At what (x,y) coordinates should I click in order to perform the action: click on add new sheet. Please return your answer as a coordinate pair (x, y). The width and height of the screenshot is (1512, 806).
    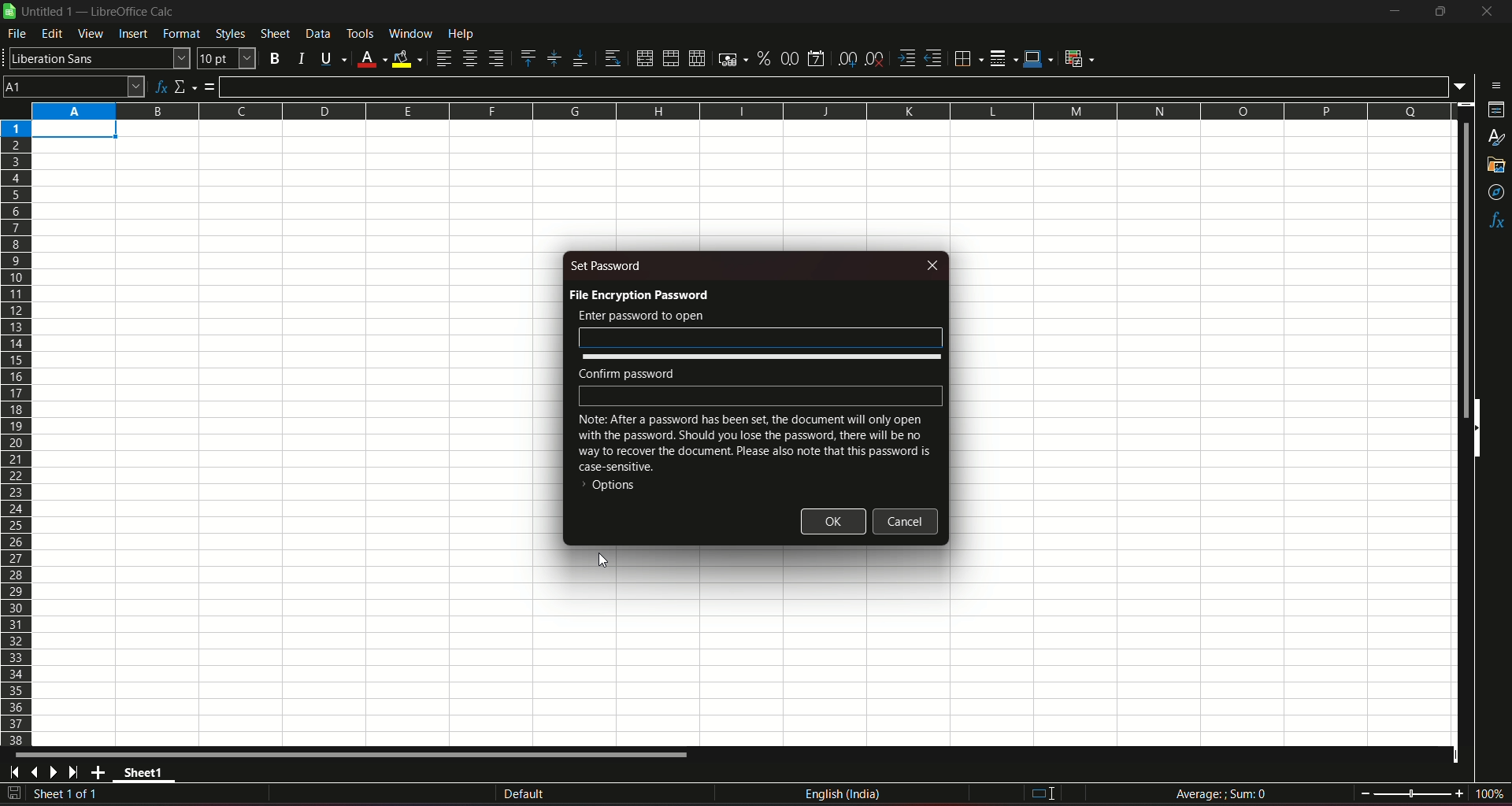
    Looking at the image, I should click on (98, 772).